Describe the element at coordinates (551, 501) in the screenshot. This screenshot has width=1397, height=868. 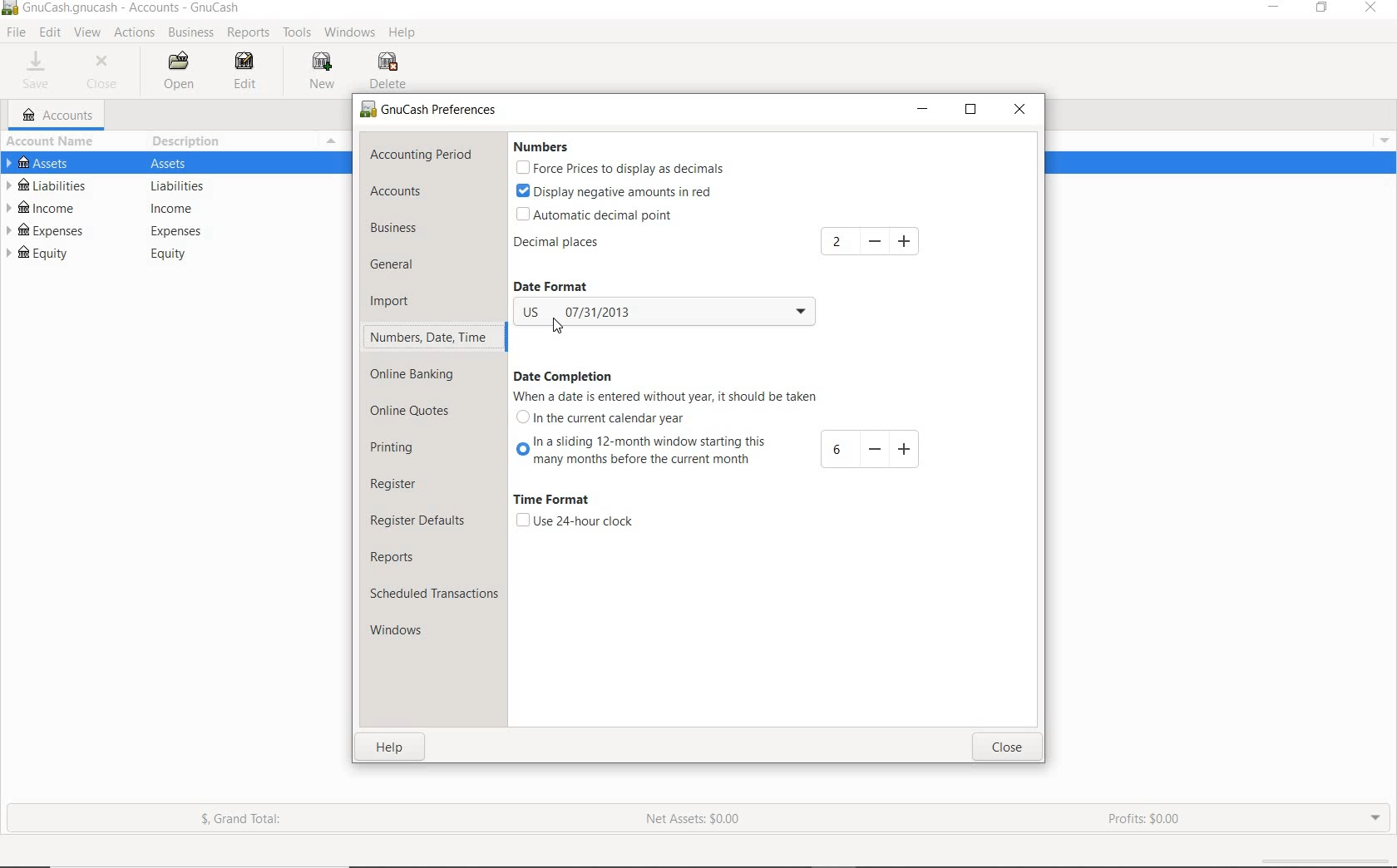
I see `Time format` at that location.